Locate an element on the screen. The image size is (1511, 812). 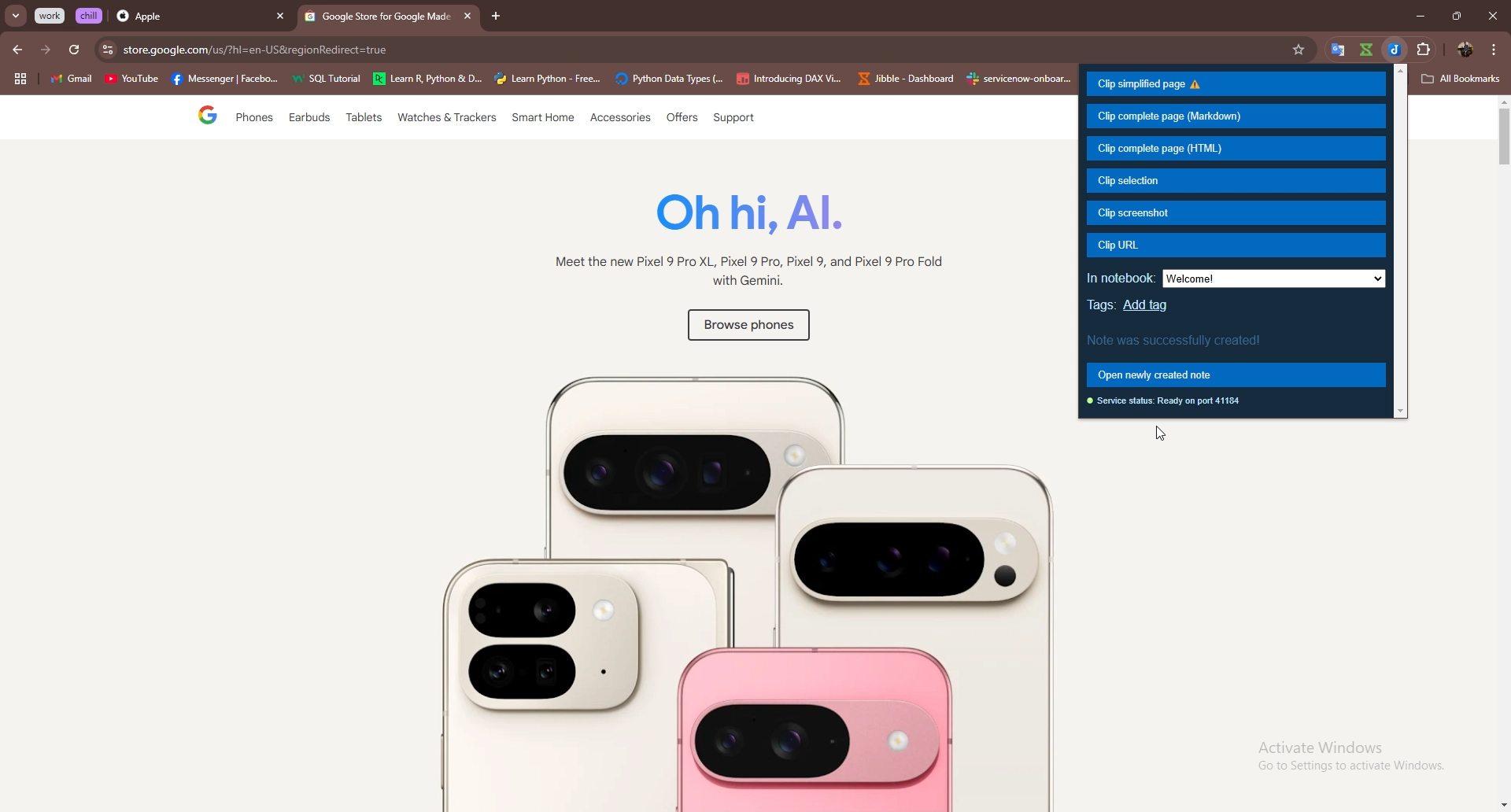
open newly created note is located at coordinates (1234, 375).